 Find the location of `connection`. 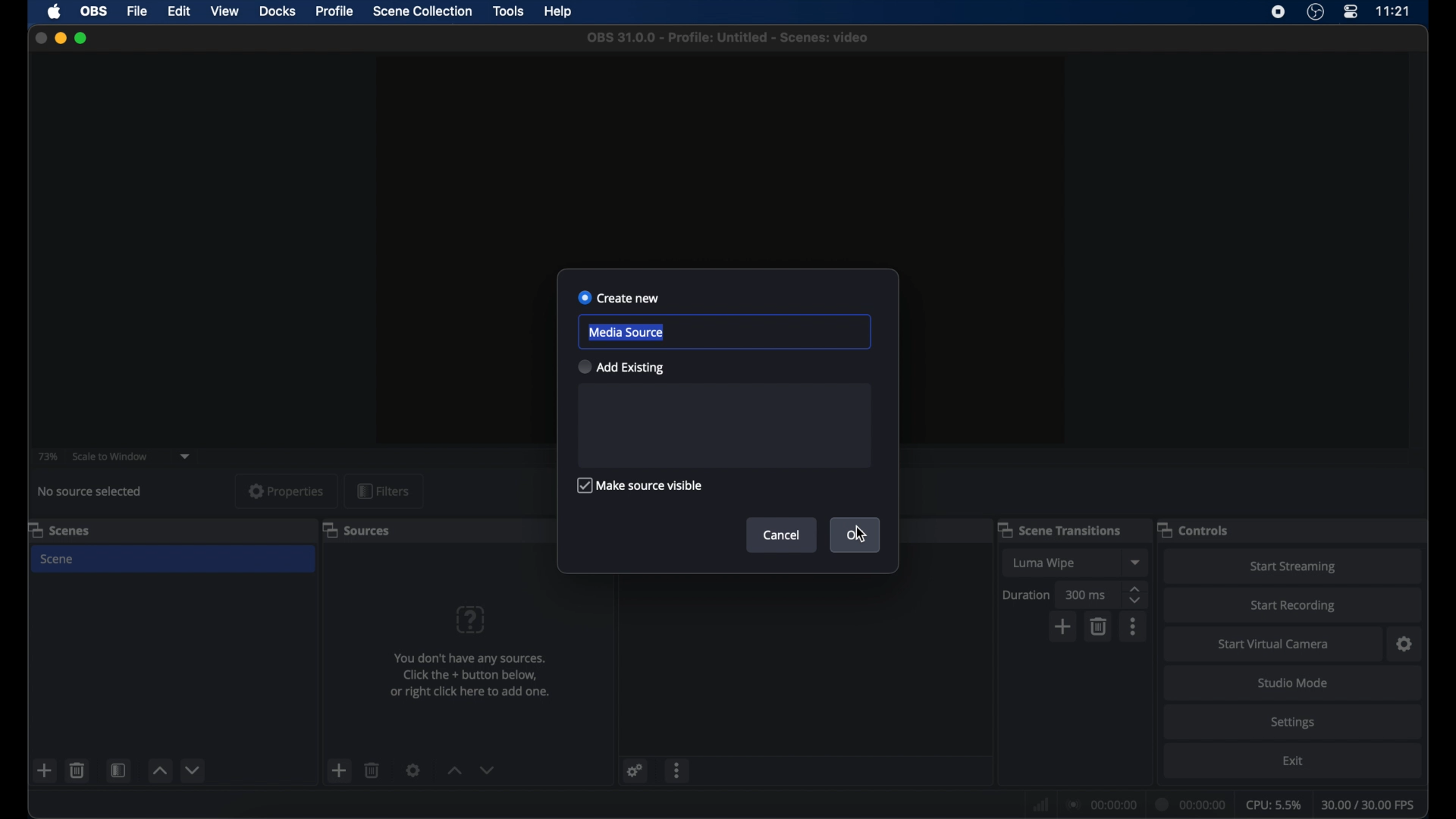

connection is located at coordinates (1103, 805).